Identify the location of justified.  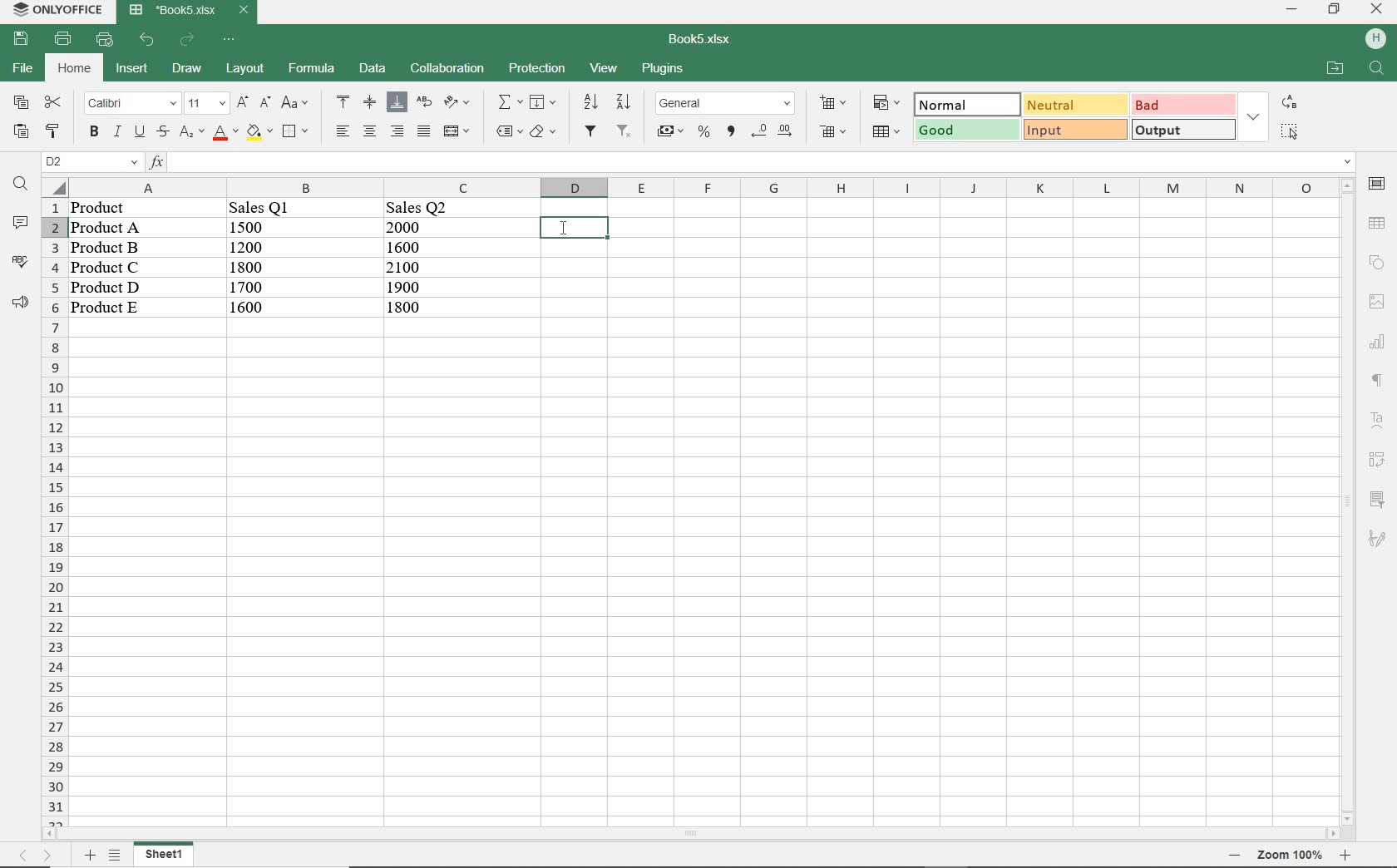
(422, 131).